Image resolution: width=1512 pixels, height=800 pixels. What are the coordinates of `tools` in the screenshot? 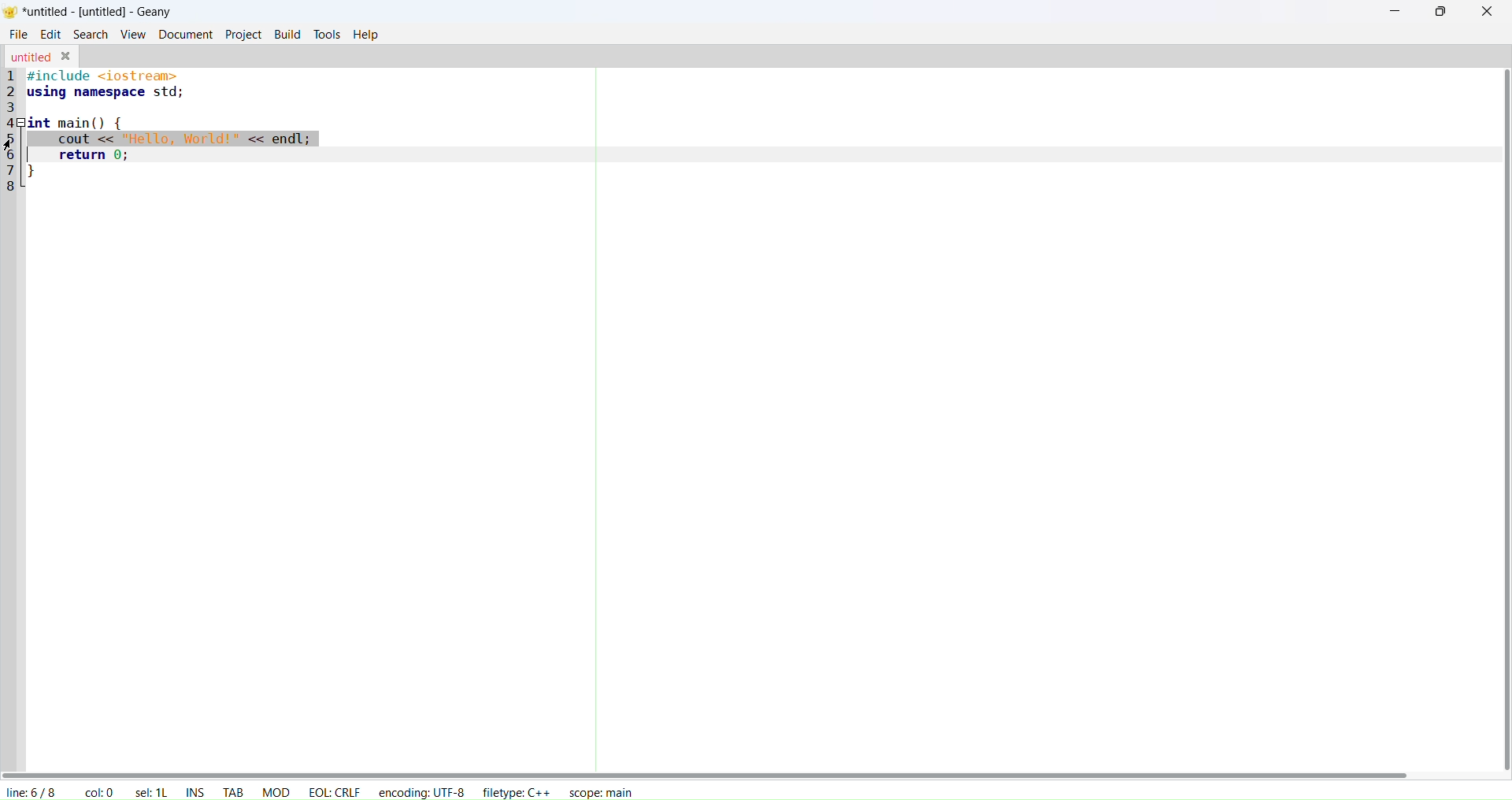 It's located at (327, 35).